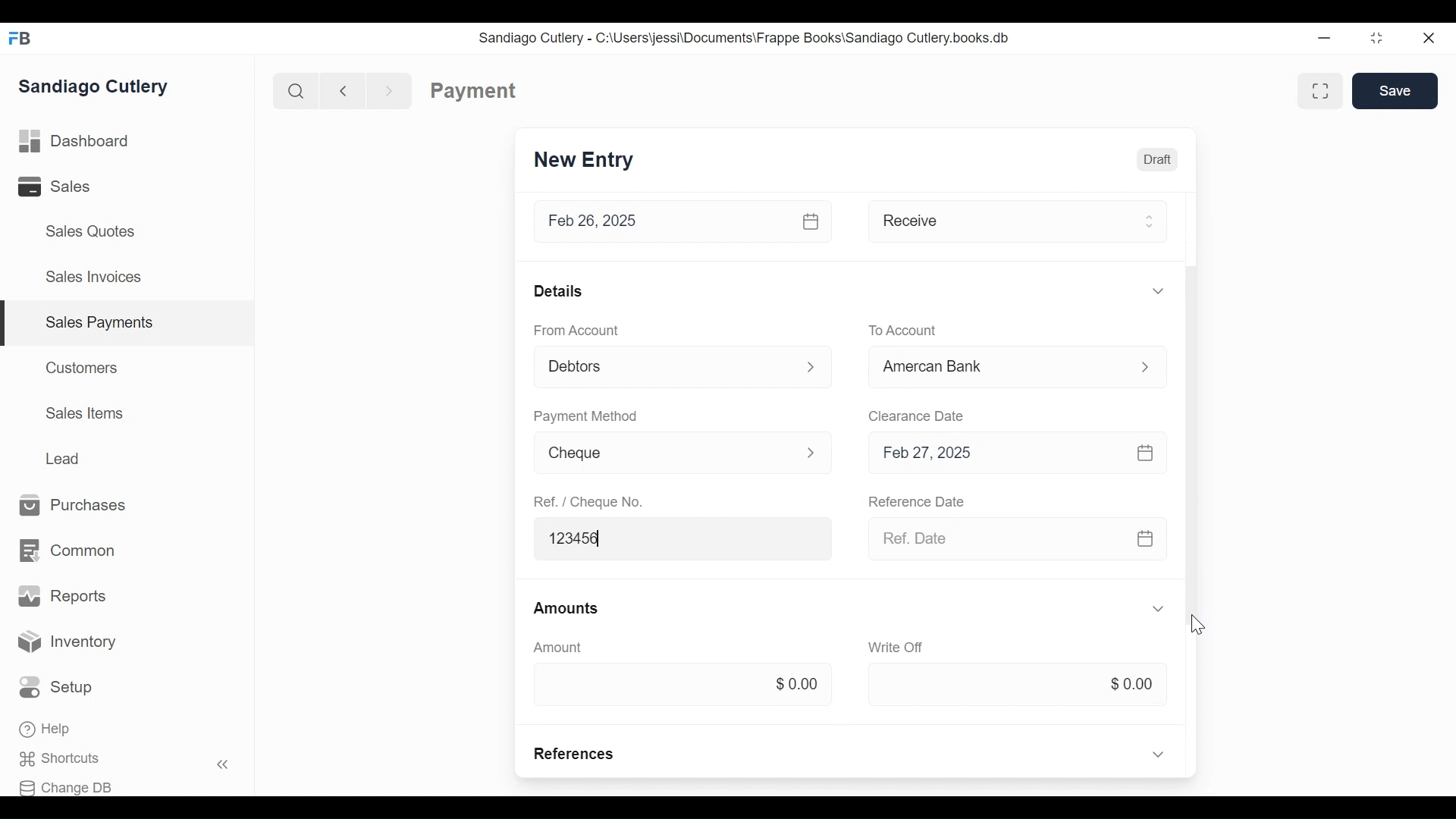 Image resolution: width=1456 pixels, height=819 pixels. I want to click on Expand, so click(1158, 753).